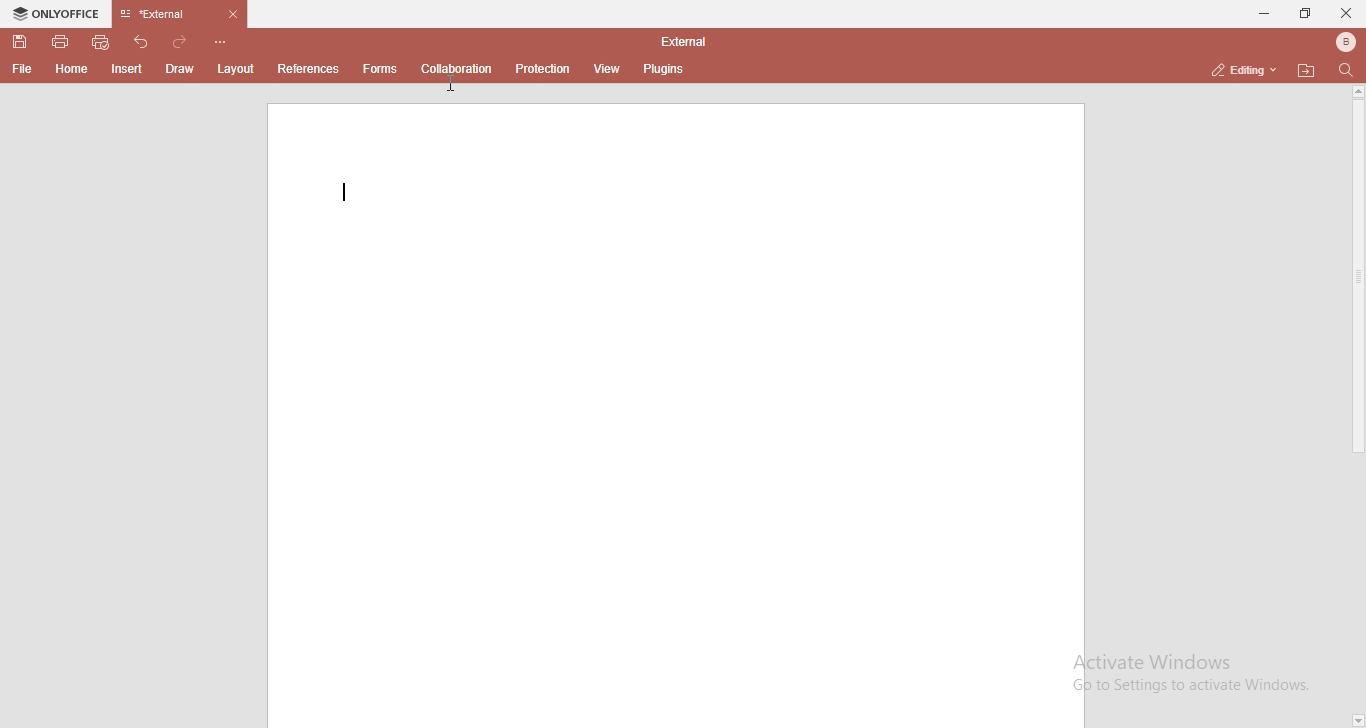 The image size is (1366, 728). Describe the element at coordinates (458, 68) in the screenshot. I see `collaboration` at that location.